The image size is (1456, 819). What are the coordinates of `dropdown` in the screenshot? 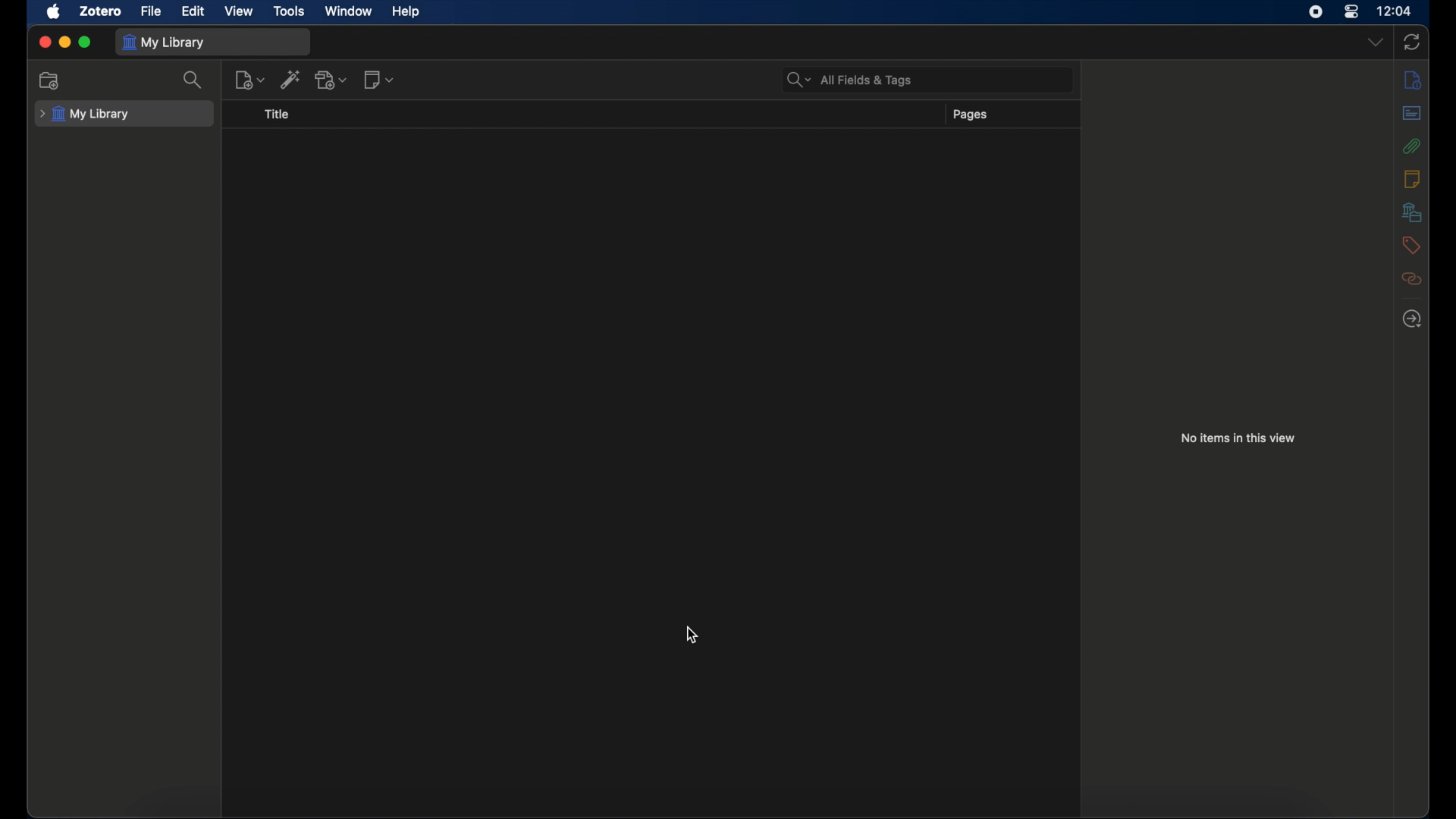 It's located at (1377, 41).